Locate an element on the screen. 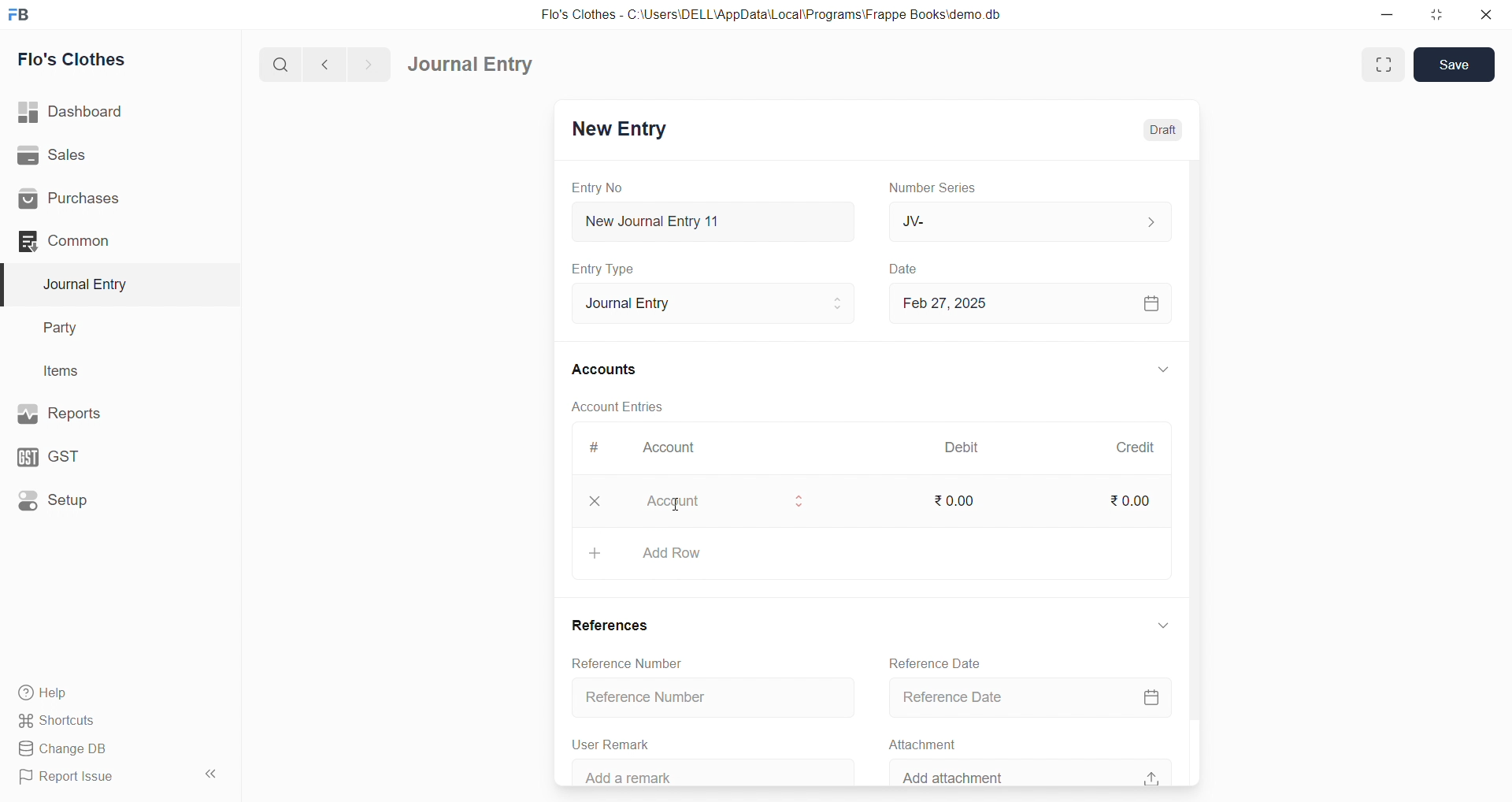 The height and width of the screenshot is (802, 1512). search is located at coordinates (278, 66).